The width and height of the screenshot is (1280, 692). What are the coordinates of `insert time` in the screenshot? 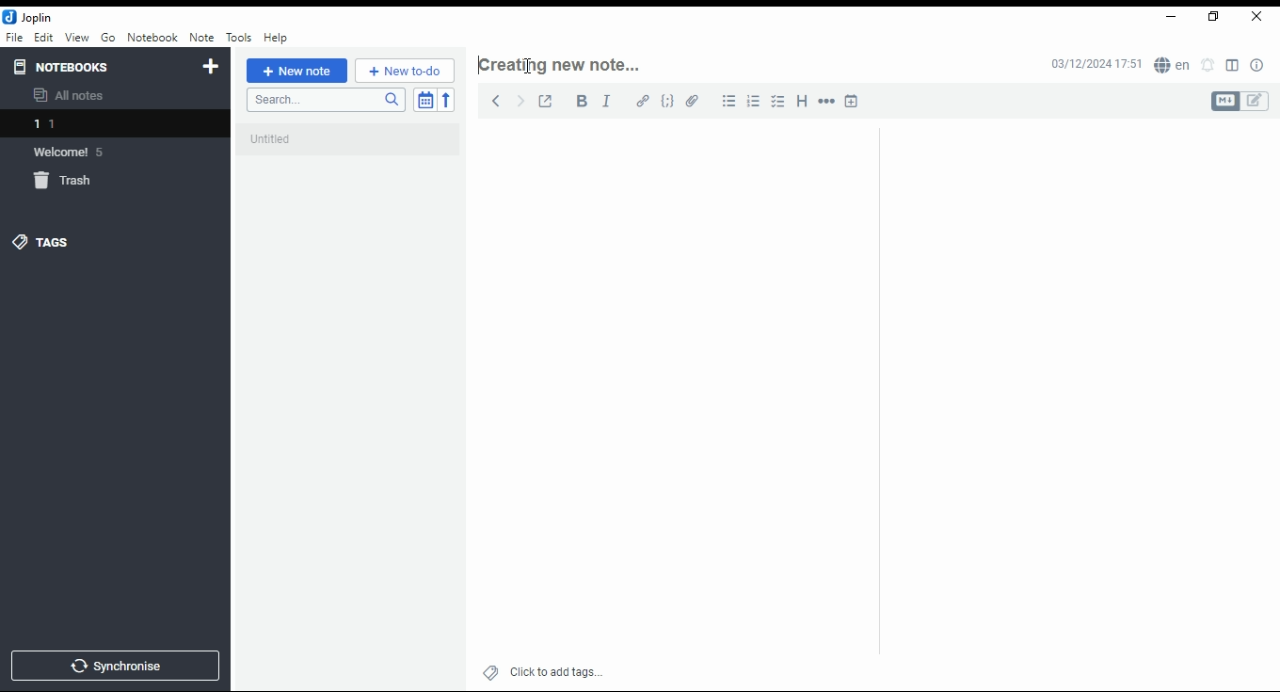 It's located at (851, 100).